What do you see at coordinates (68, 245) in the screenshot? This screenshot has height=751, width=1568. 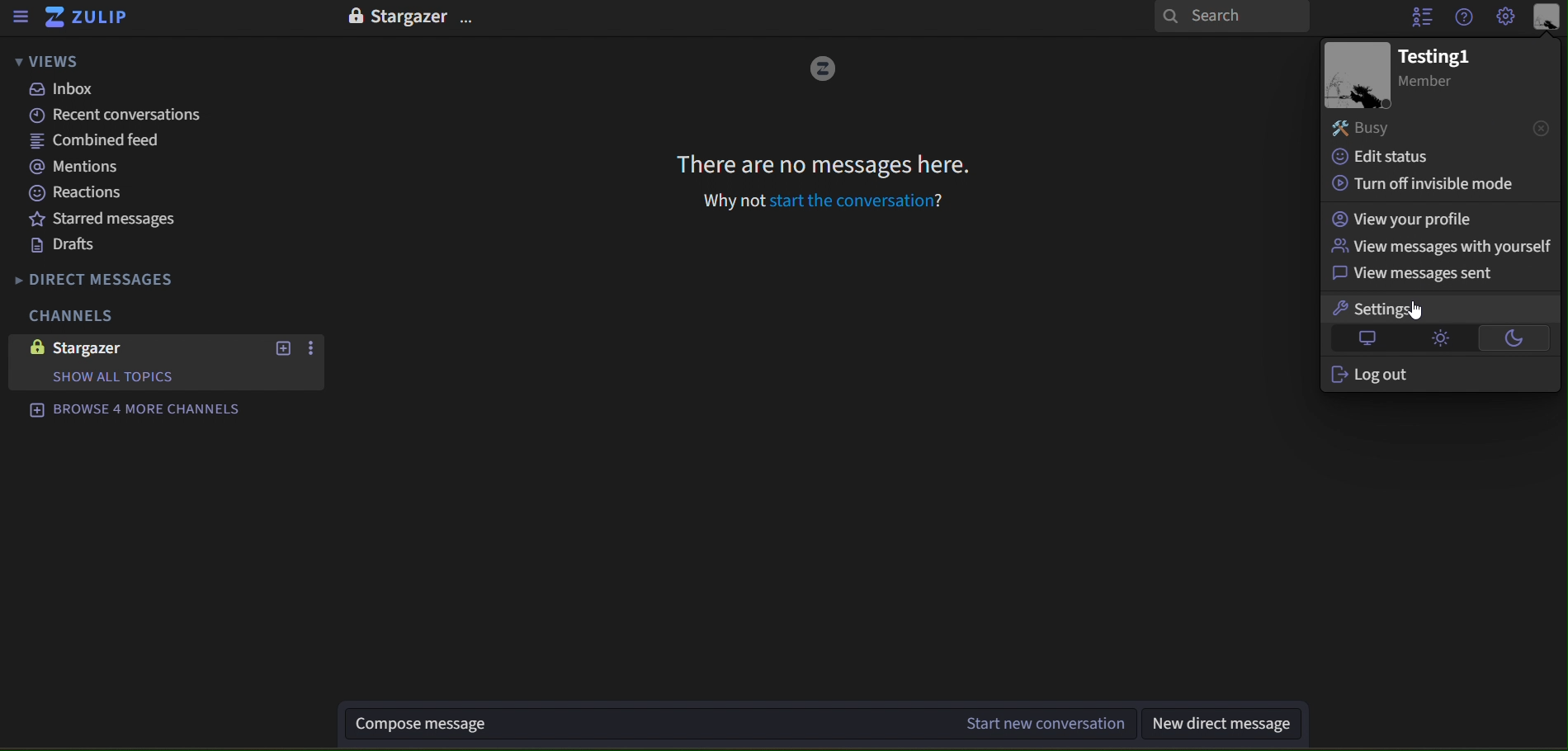 I see `drafts` at bounding box center [68, 245].